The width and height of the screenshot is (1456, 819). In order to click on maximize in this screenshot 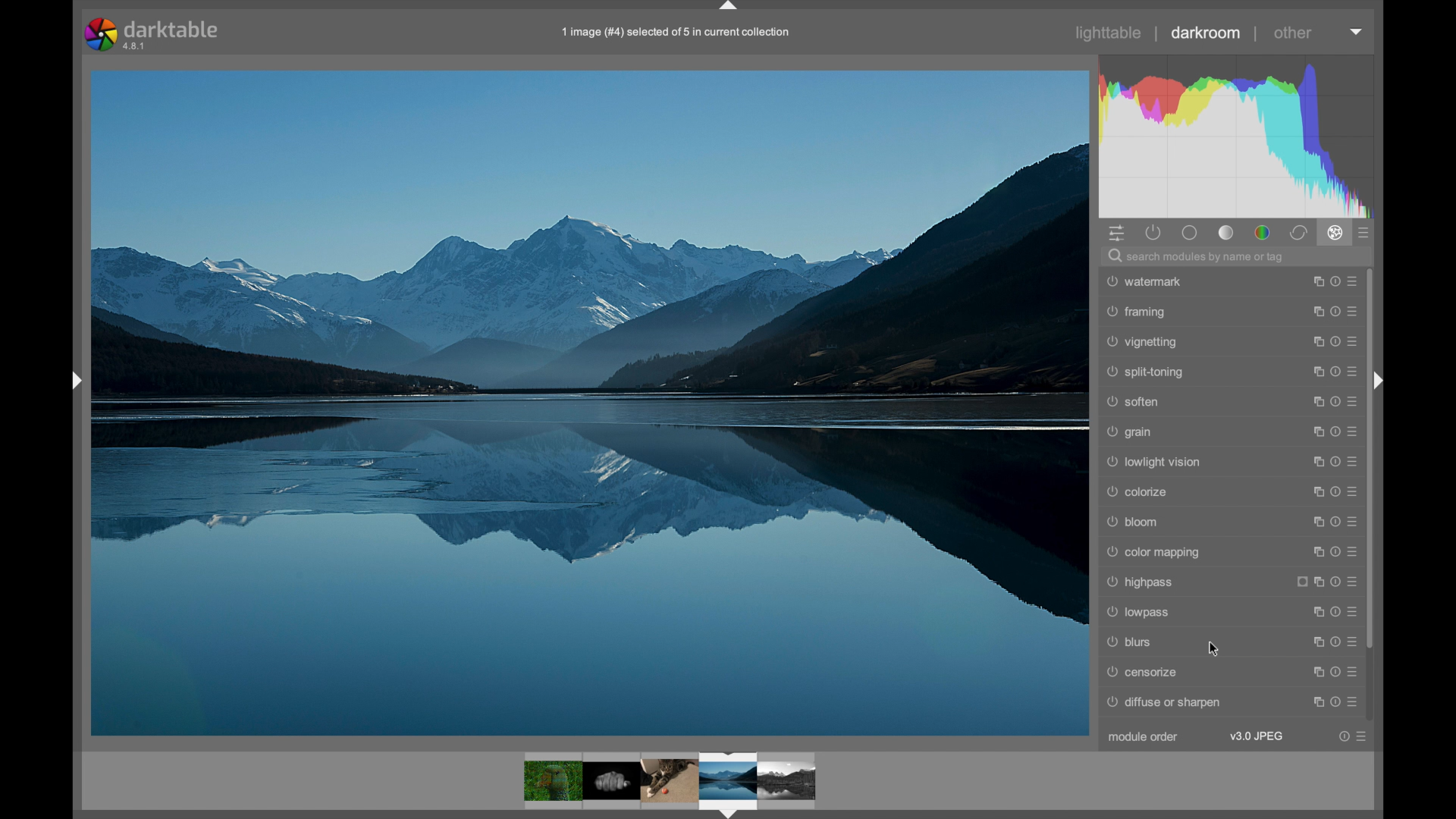, I will do `click(1315, 431)`.